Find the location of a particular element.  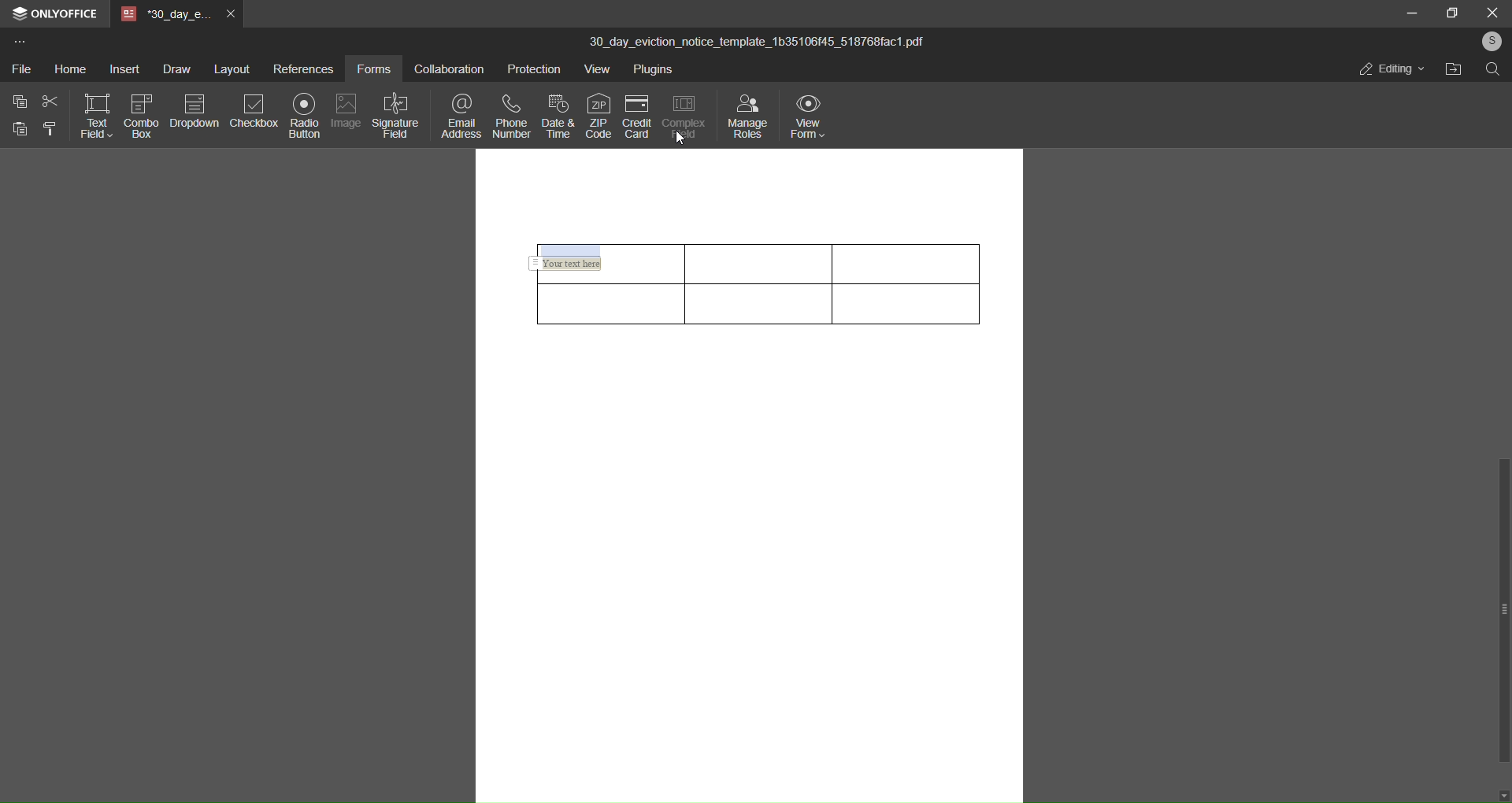

signature is located at coordinates (395, 114).